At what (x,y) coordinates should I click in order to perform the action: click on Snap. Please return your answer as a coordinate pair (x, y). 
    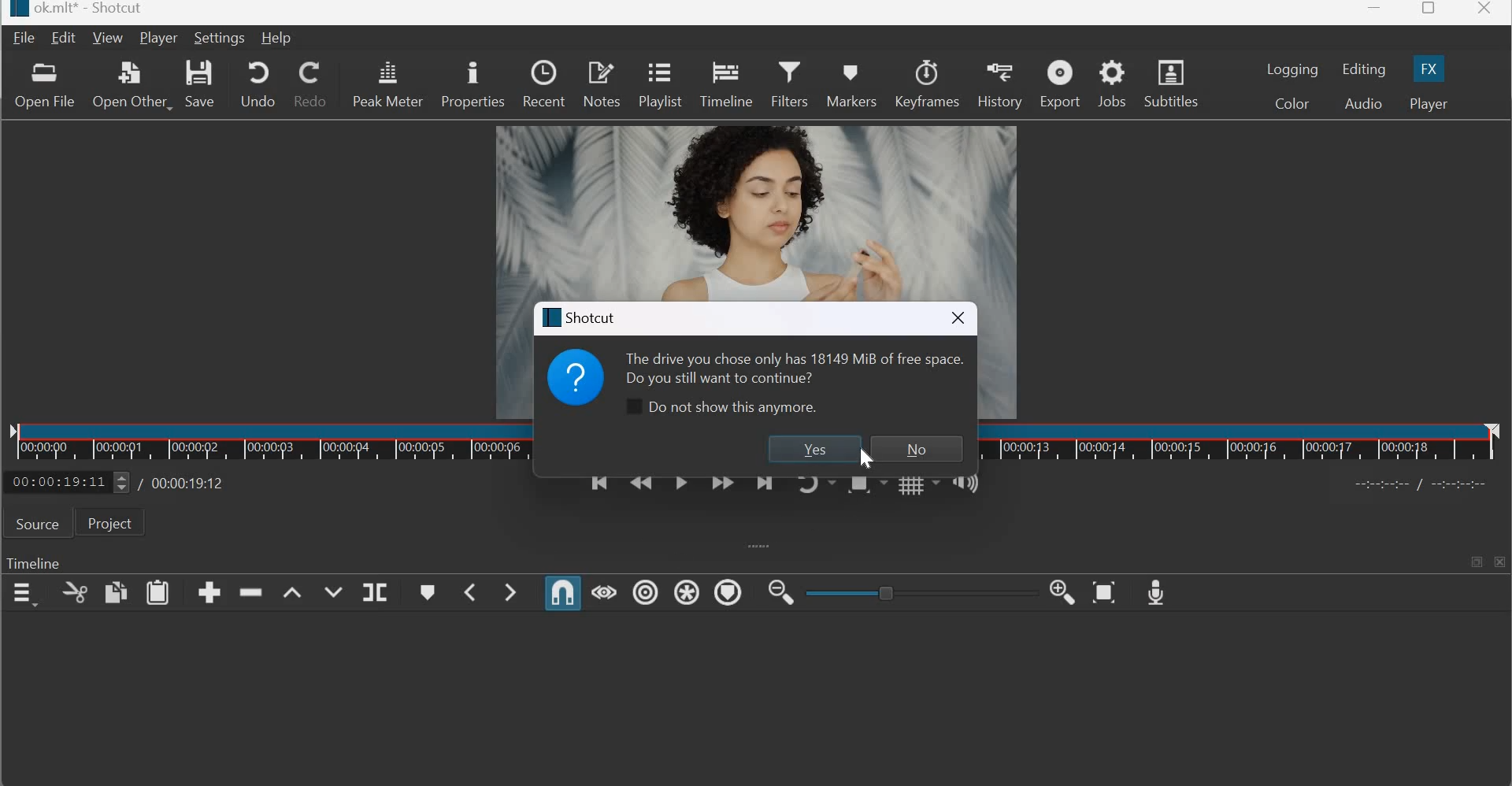
    Looking at the image, I should click on (564, 592).